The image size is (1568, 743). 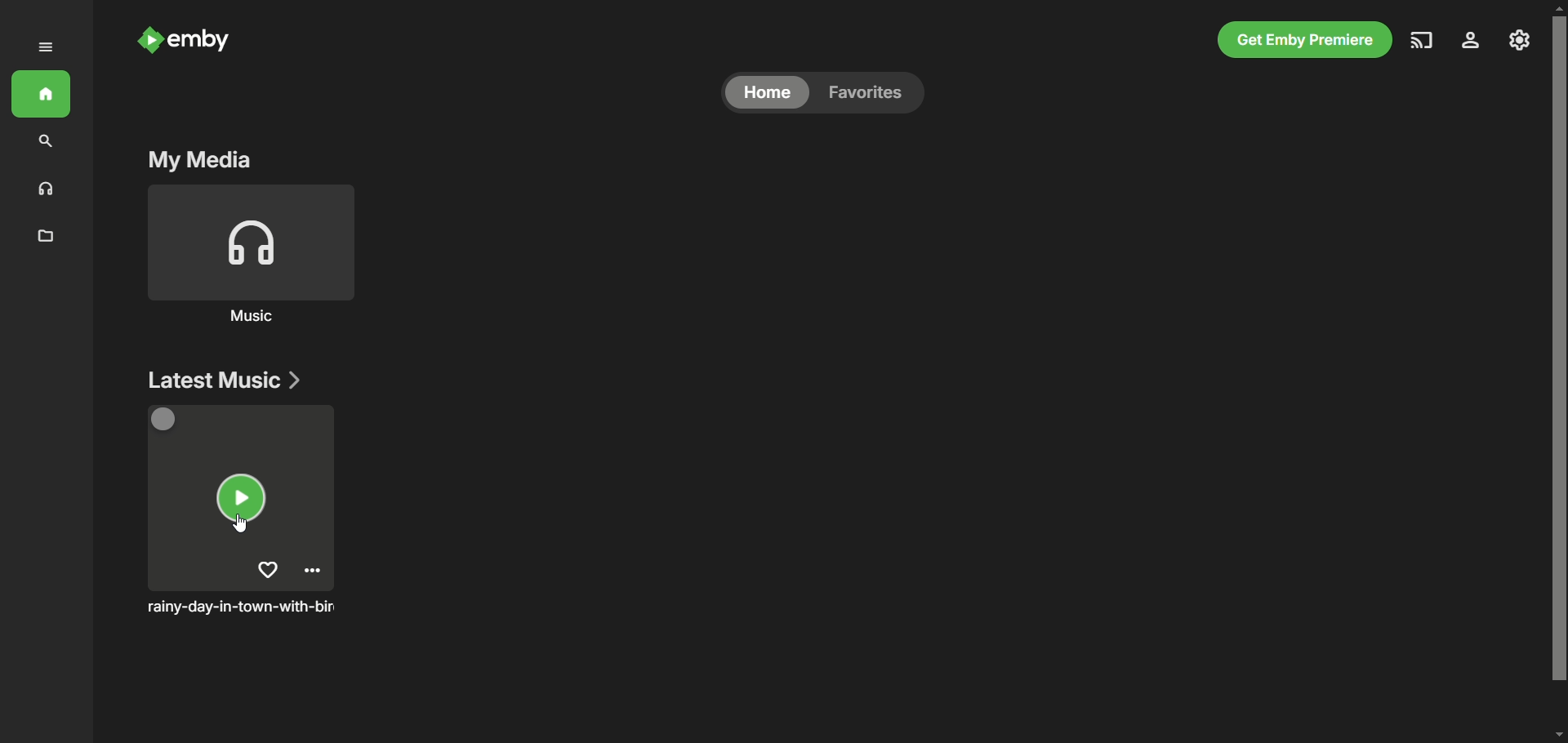 What do you see at coordinates (50, 50) in the screenshot?
I see `expand` at bounding box center [50, 50].